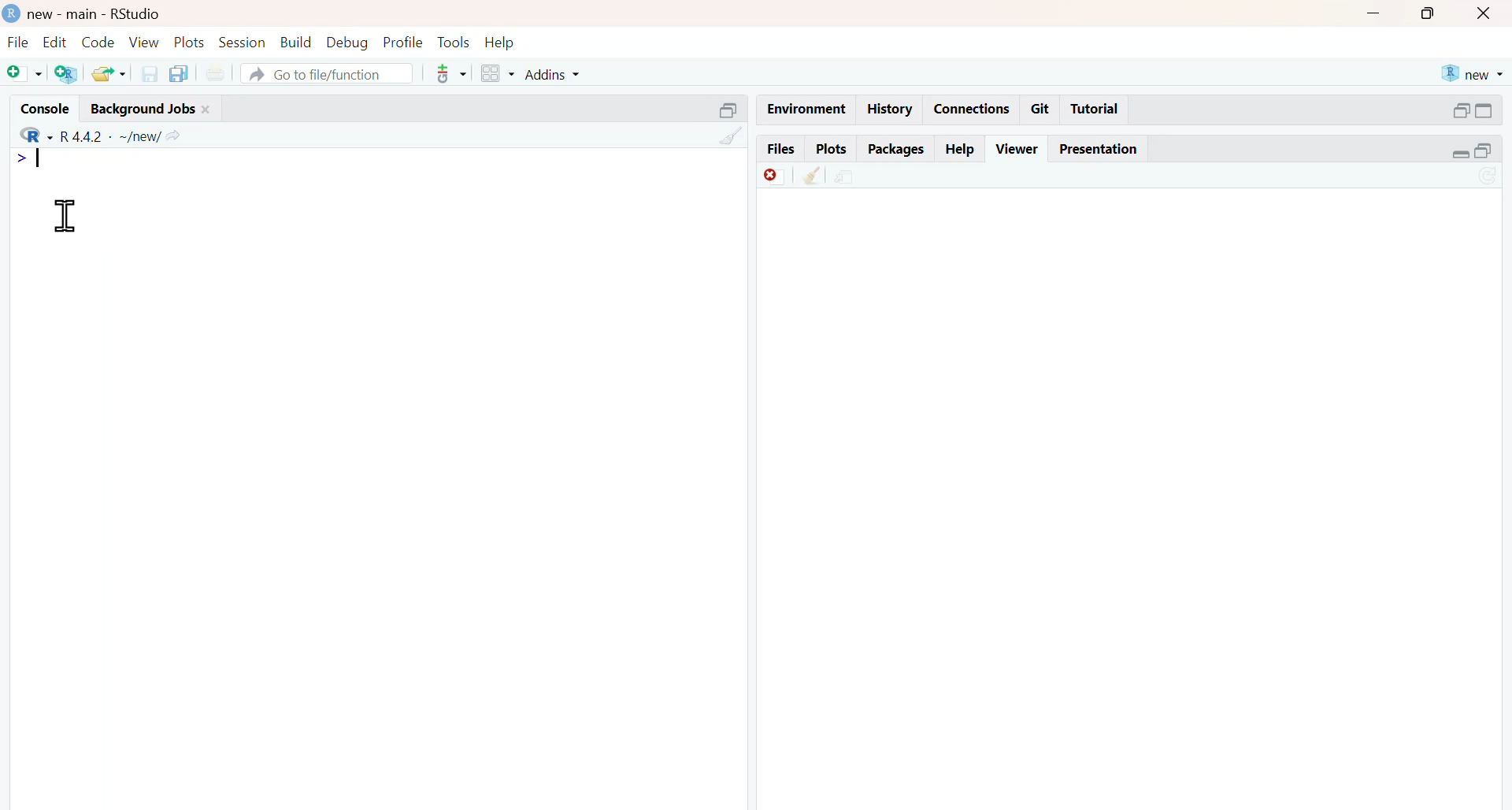 The width and height of the screenshot is (1512, 810). What do you see at coordinates (1427, 13) in the screenshot?
I see `maximise` at bounding box center [1427, 13].